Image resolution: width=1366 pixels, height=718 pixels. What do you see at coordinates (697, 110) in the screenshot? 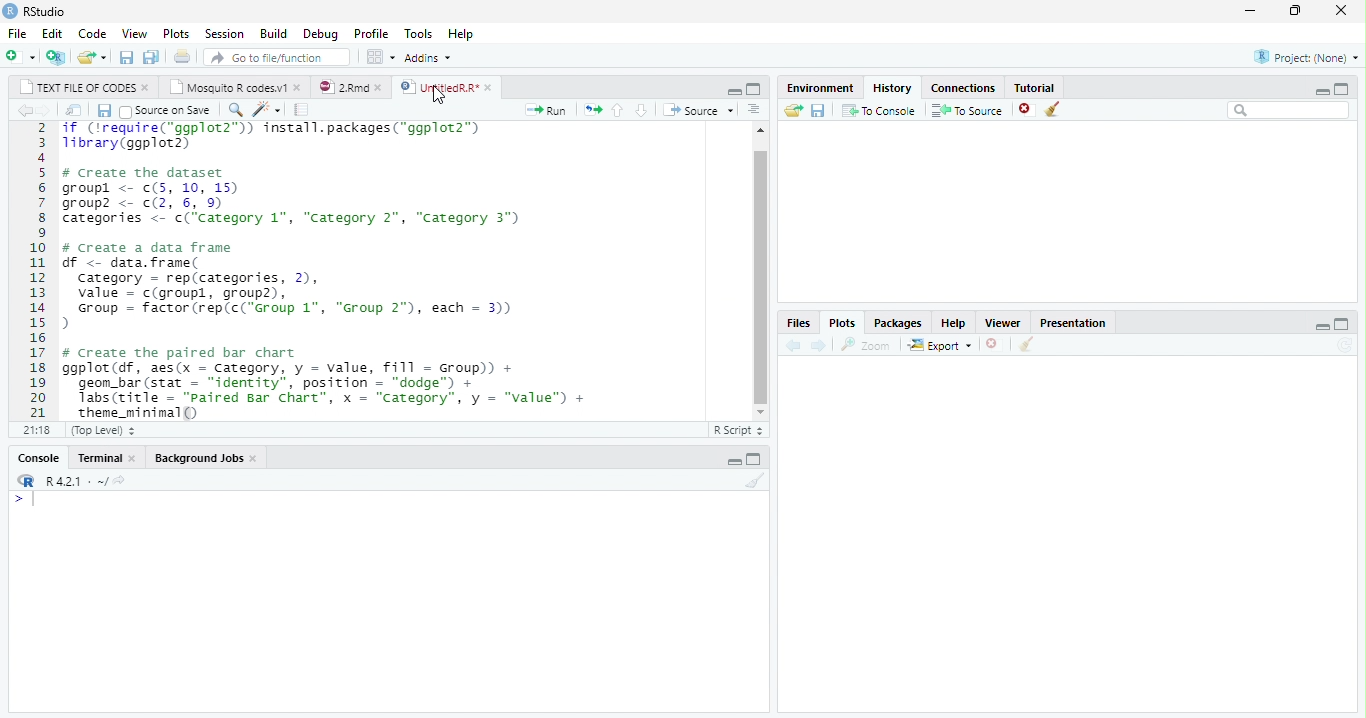
I see `source` at bounding box center [697, 110].